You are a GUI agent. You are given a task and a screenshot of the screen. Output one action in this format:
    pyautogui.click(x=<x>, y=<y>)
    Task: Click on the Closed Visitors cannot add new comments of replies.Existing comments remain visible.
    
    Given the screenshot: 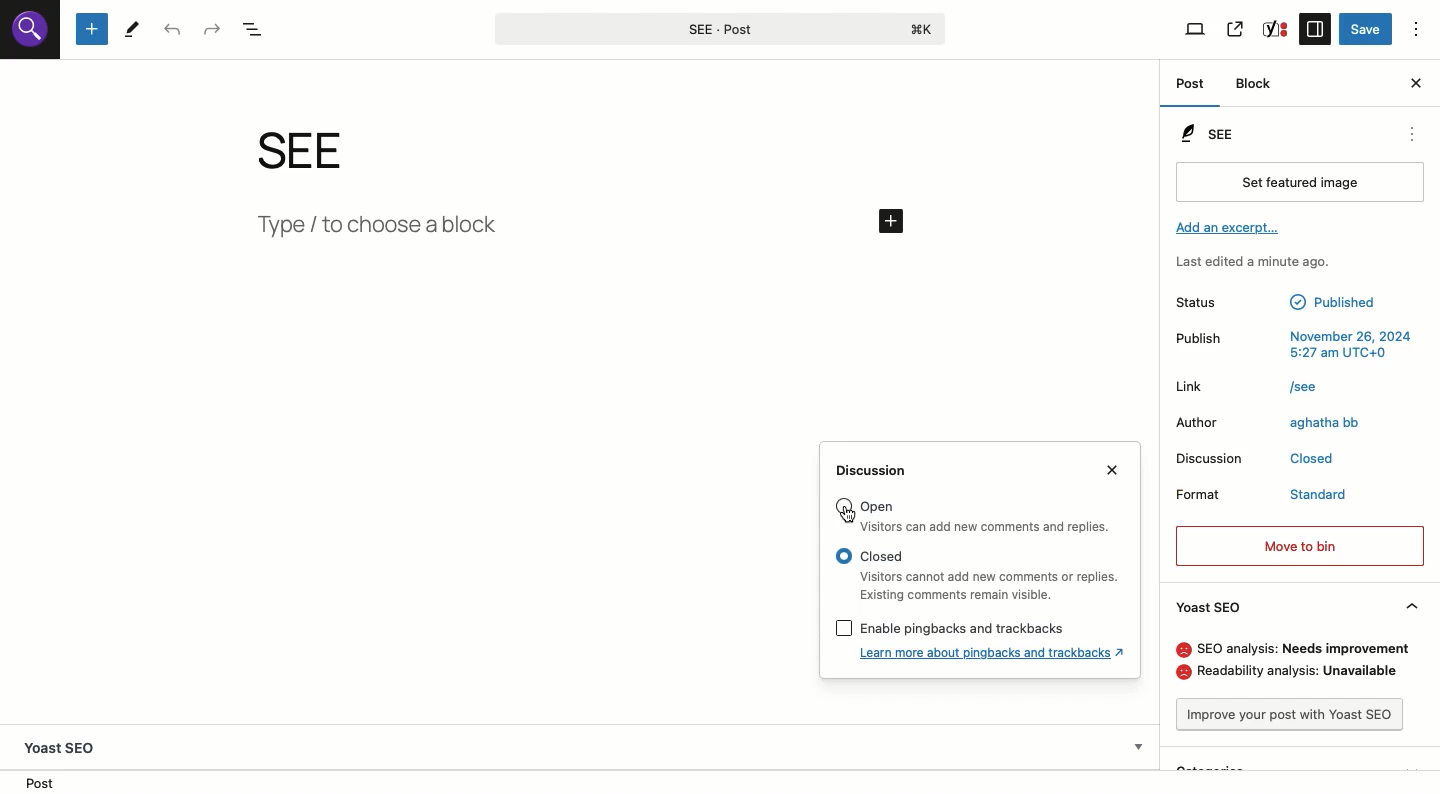 What is the action you would take?
    pyautogui.click(x=972, y=576)
    